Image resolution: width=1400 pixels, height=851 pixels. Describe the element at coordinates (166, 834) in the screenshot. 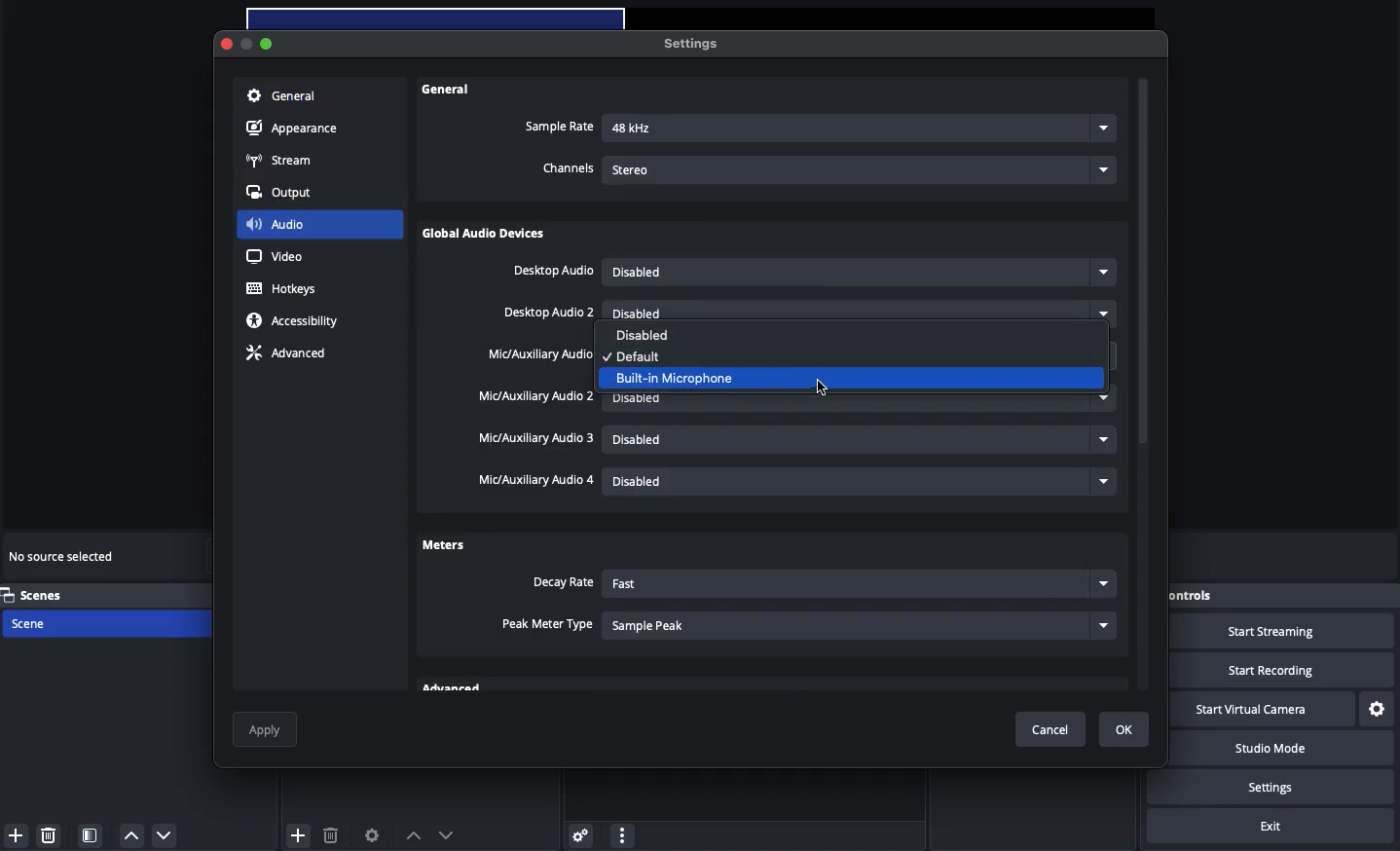

I see `Down` at that location.